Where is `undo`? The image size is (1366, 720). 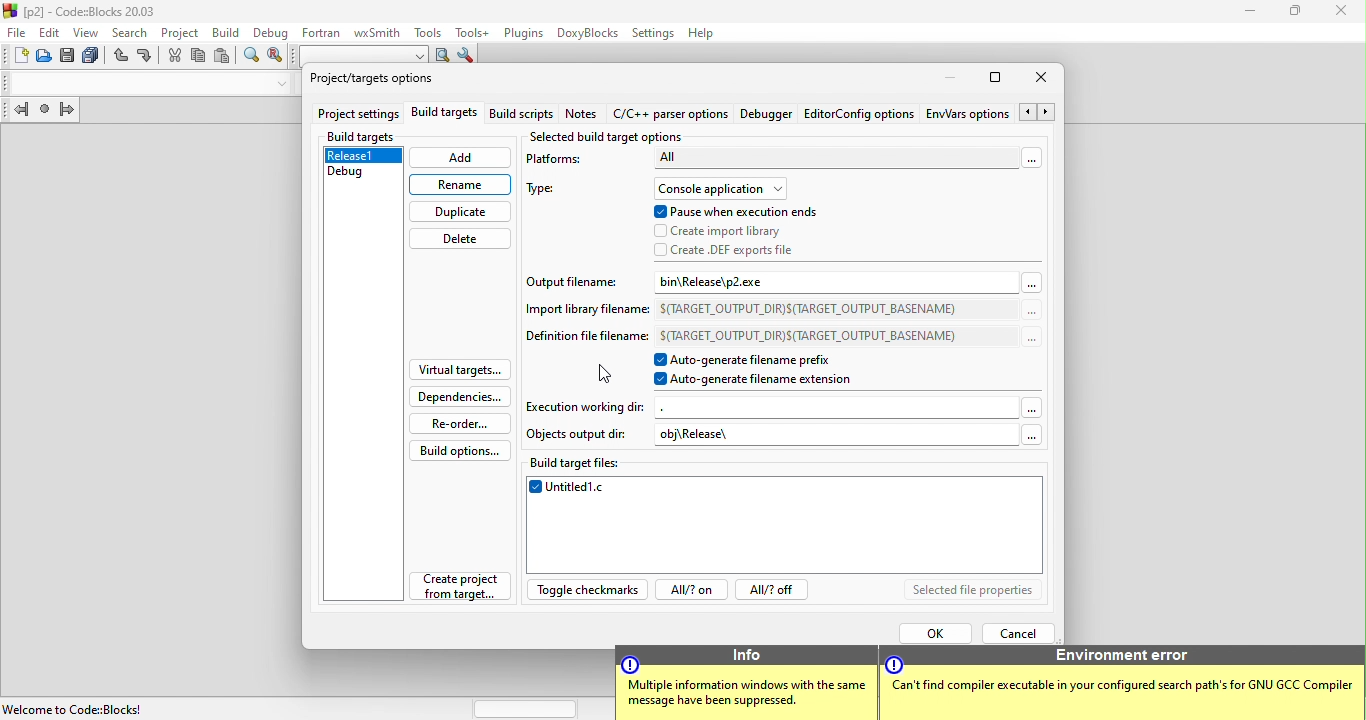 undo is located at coordinates (122, 58).